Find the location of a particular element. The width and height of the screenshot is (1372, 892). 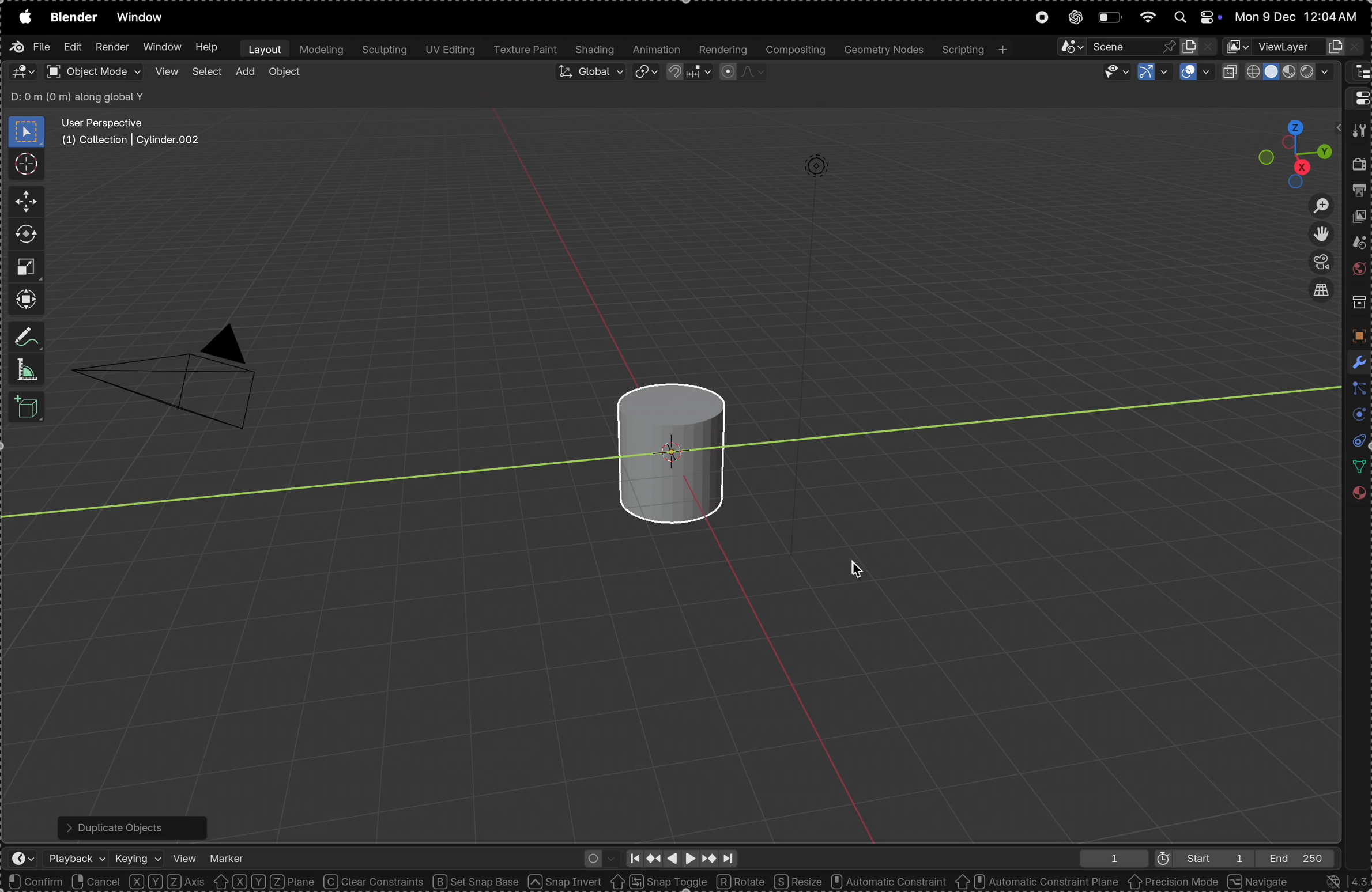

Animation is located at coordinates (657, 50).